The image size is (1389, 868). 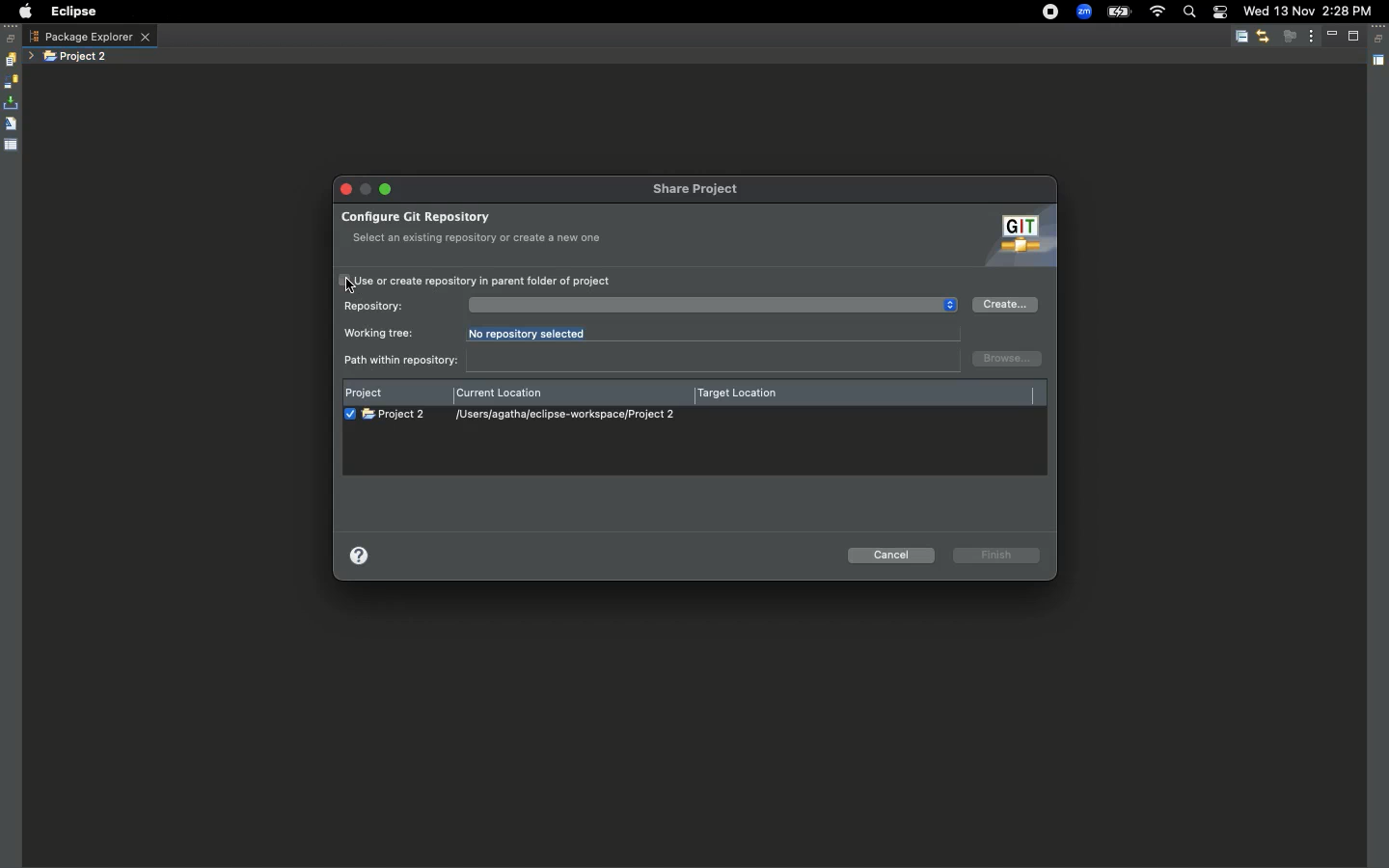 What do you see at coordinates (1355, 36) in the screenshot?
I see `Maximize` at bounding box center [1355, 36].